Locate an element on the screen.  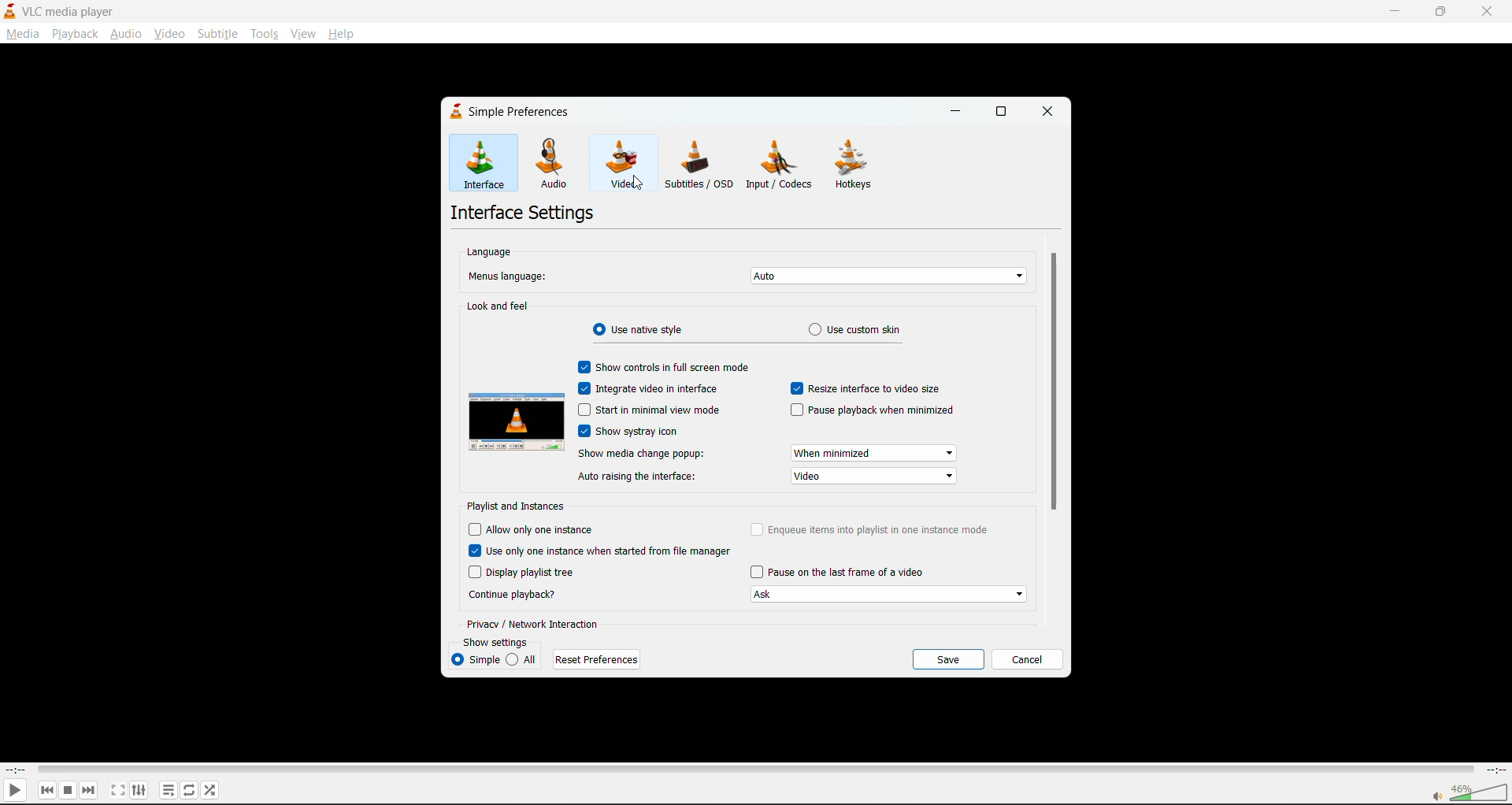
preview is located at coordinates (517, 421).